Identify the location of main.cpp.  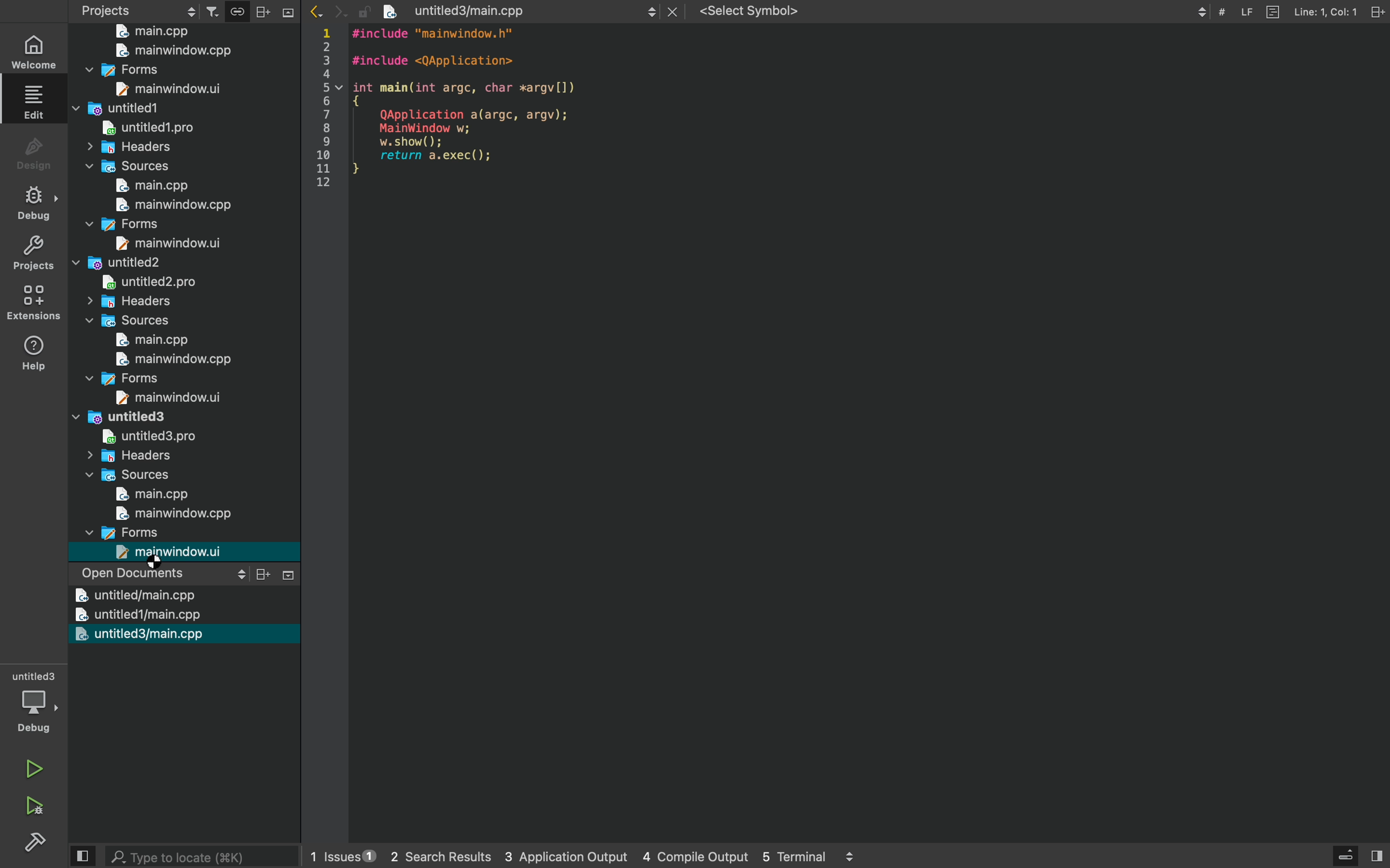
(171, 361).